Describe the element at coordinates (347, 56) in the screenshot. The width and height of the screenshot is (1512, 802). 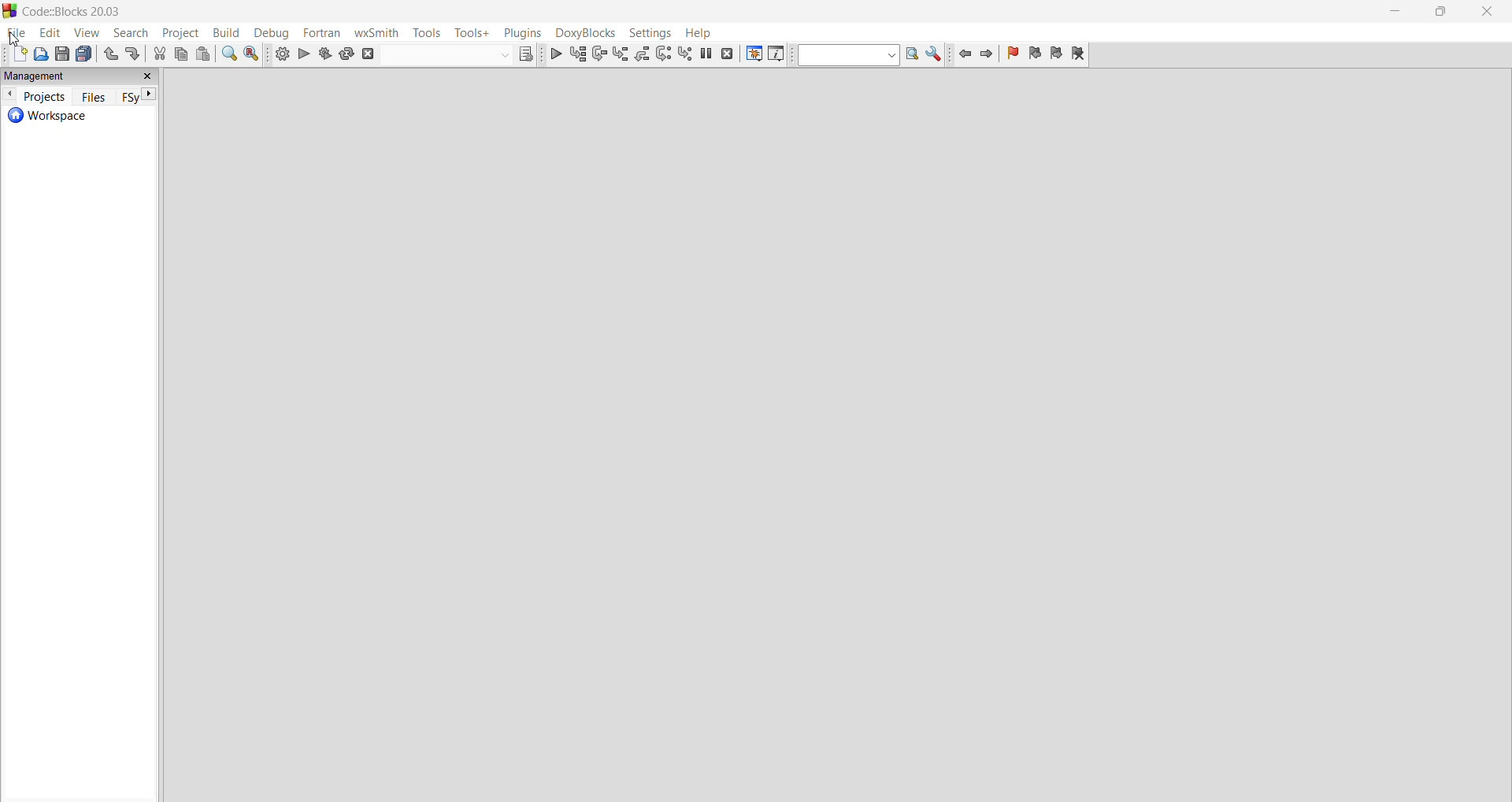
I see `rebuild` at that location.